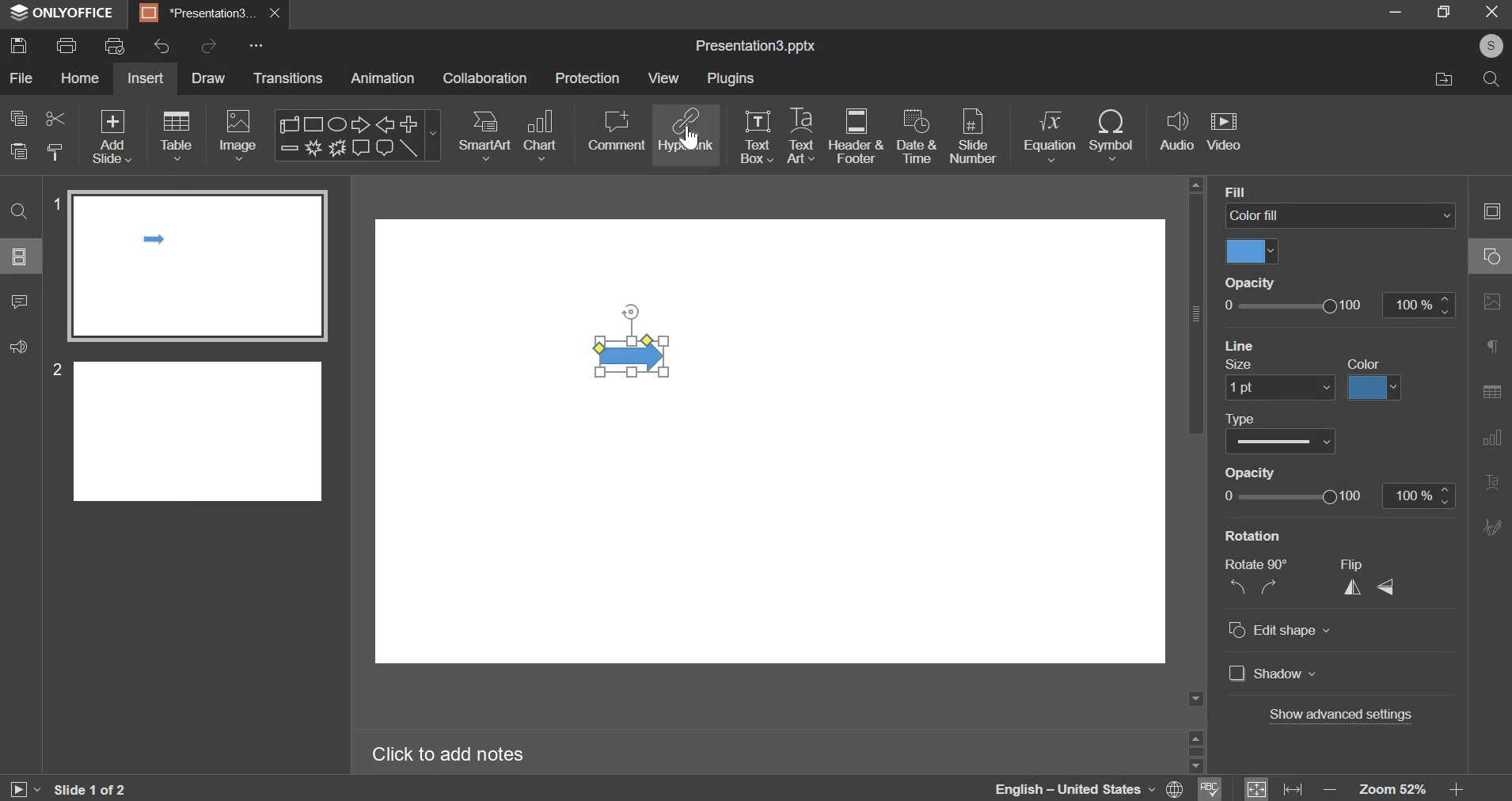 The image size is (1512, 801). Describe the element at coordinates (56, 119) in the screenshot. I see `cut` at that location.